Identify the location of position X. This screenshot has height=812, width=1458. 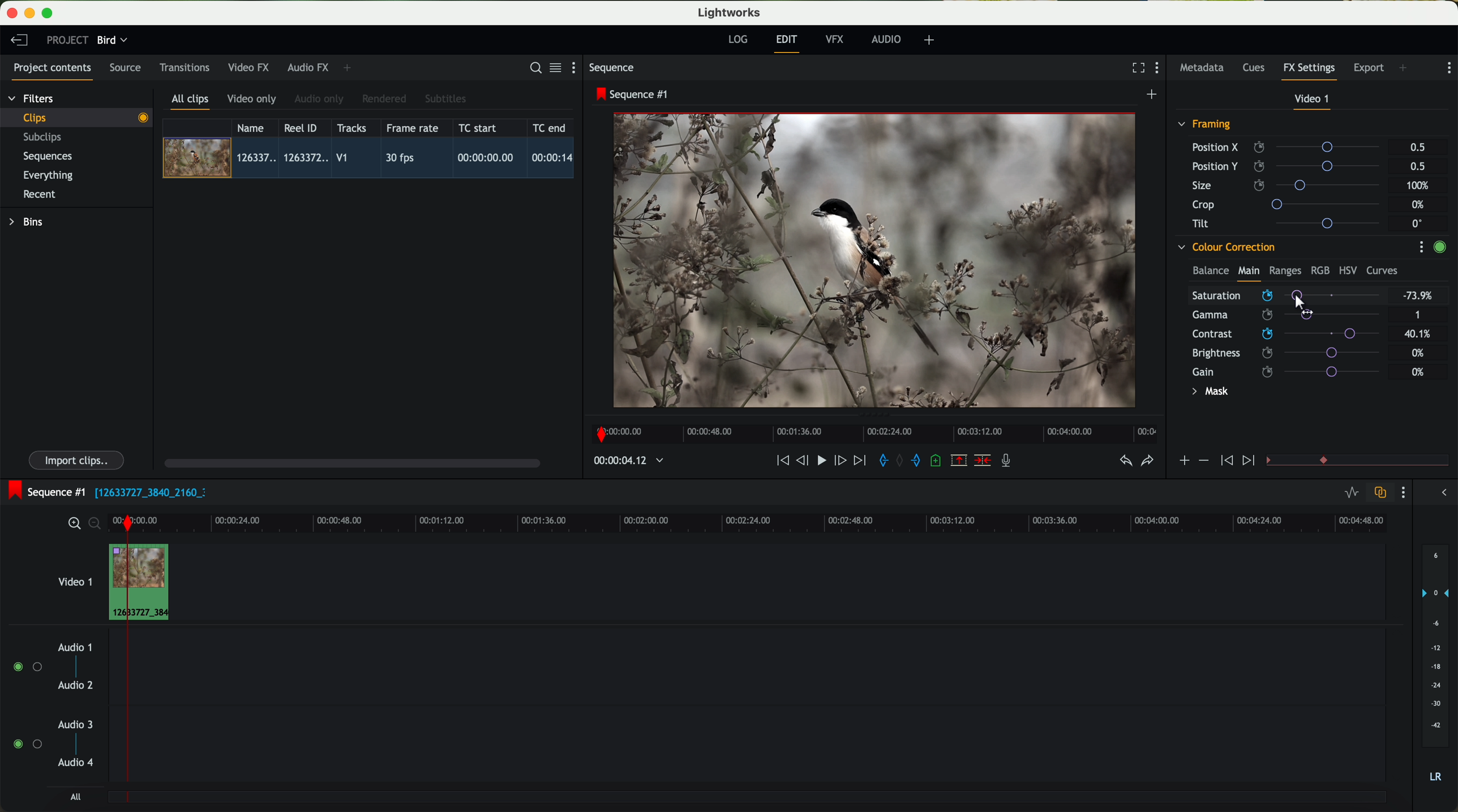
(1290, 147).